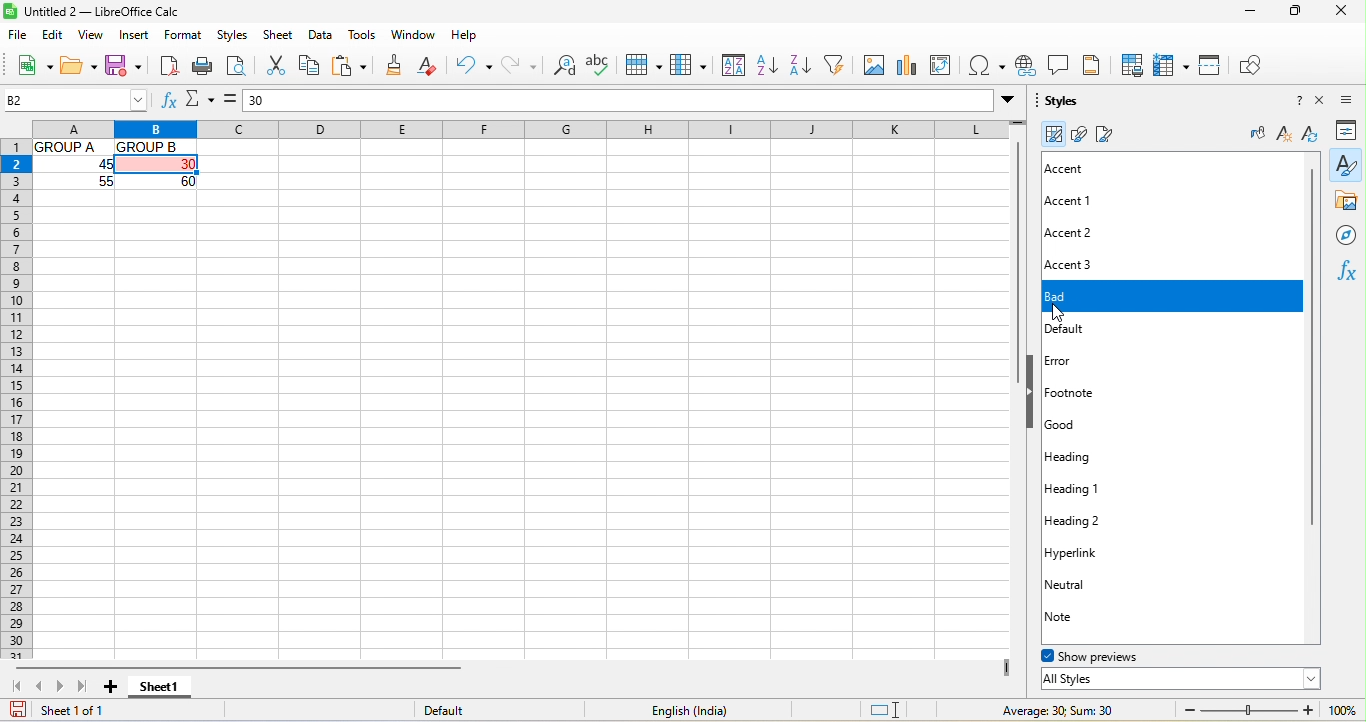  Describe the element at coordinates (229, 99) in the screenshot. I see `formula` at that location.